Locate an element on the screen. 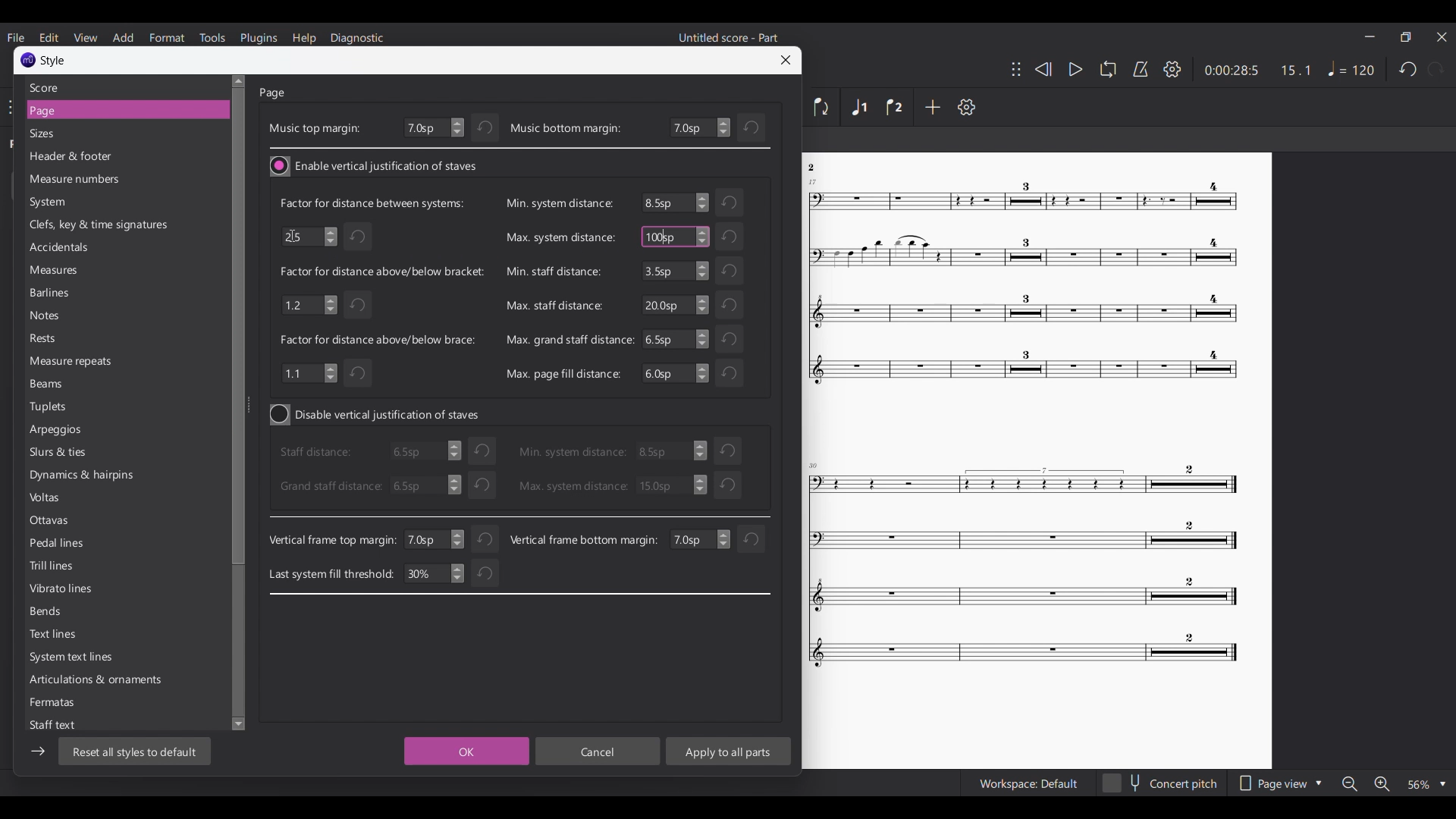  6.5sp is located at coordinates (421, 453).